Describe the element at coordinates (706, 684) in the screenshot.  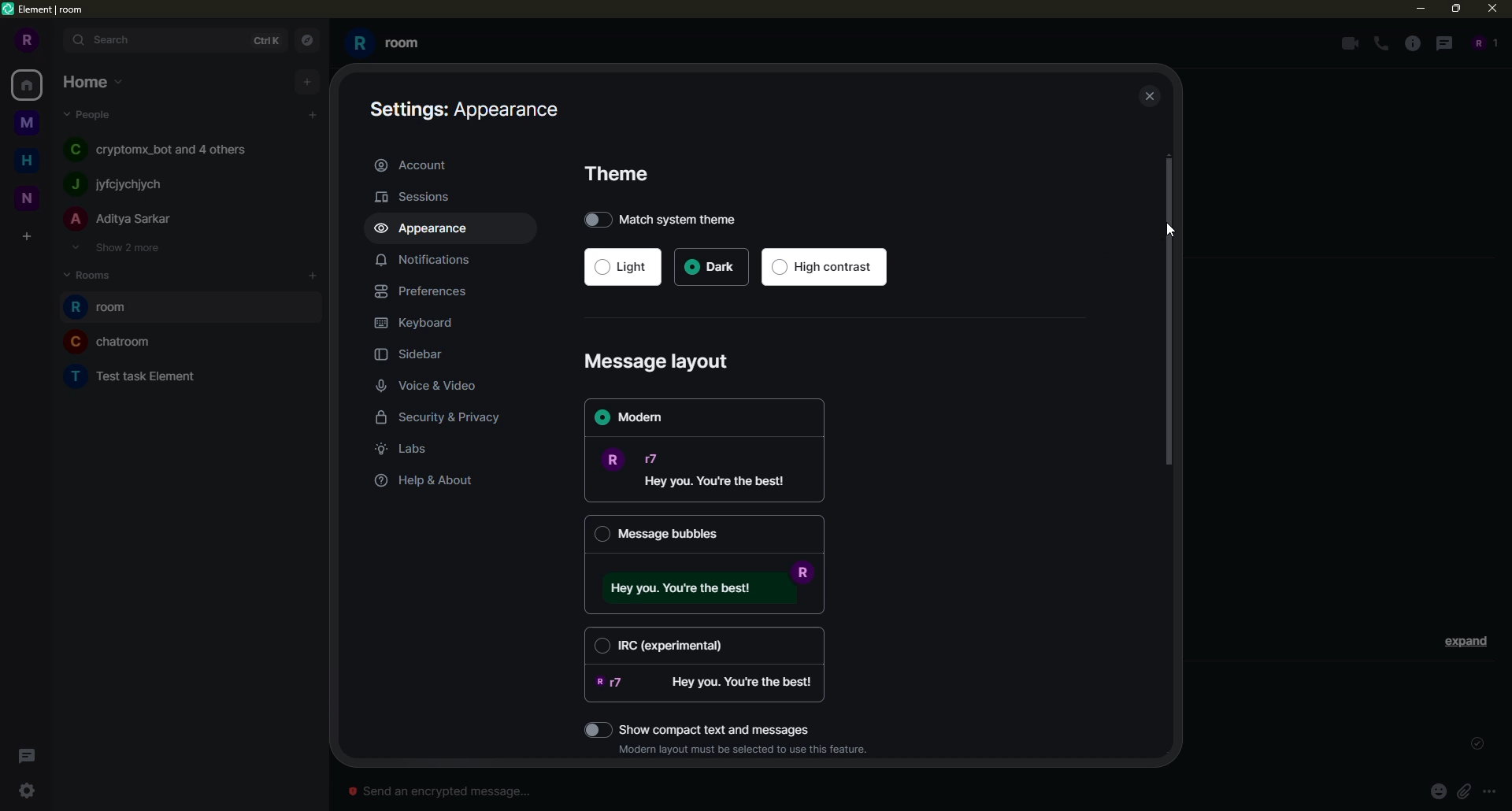
I see `message layout` at that location.